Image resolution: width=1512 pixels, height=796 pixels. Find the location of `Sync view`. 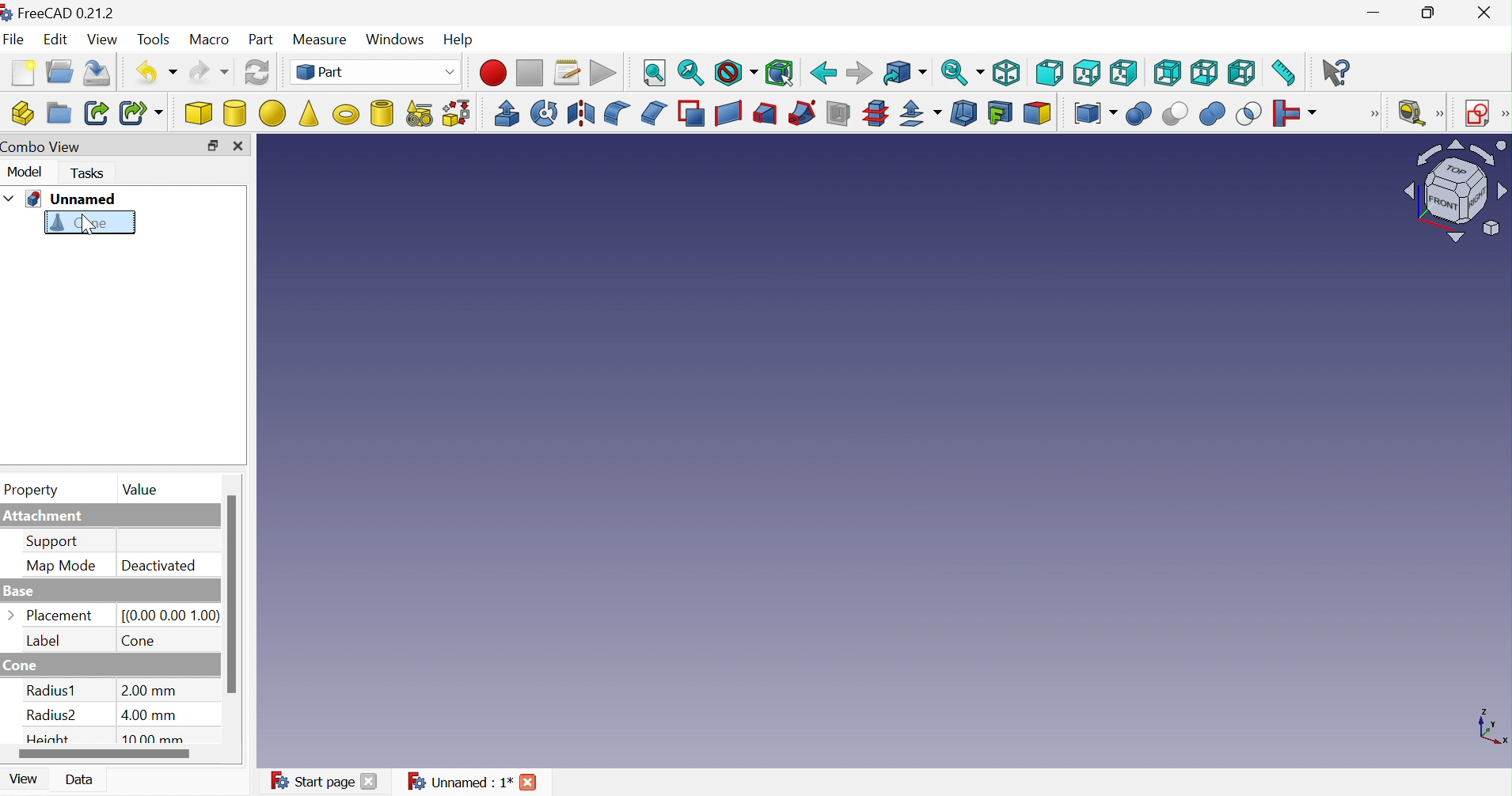

Sync view is located at coordinates (962, 72).